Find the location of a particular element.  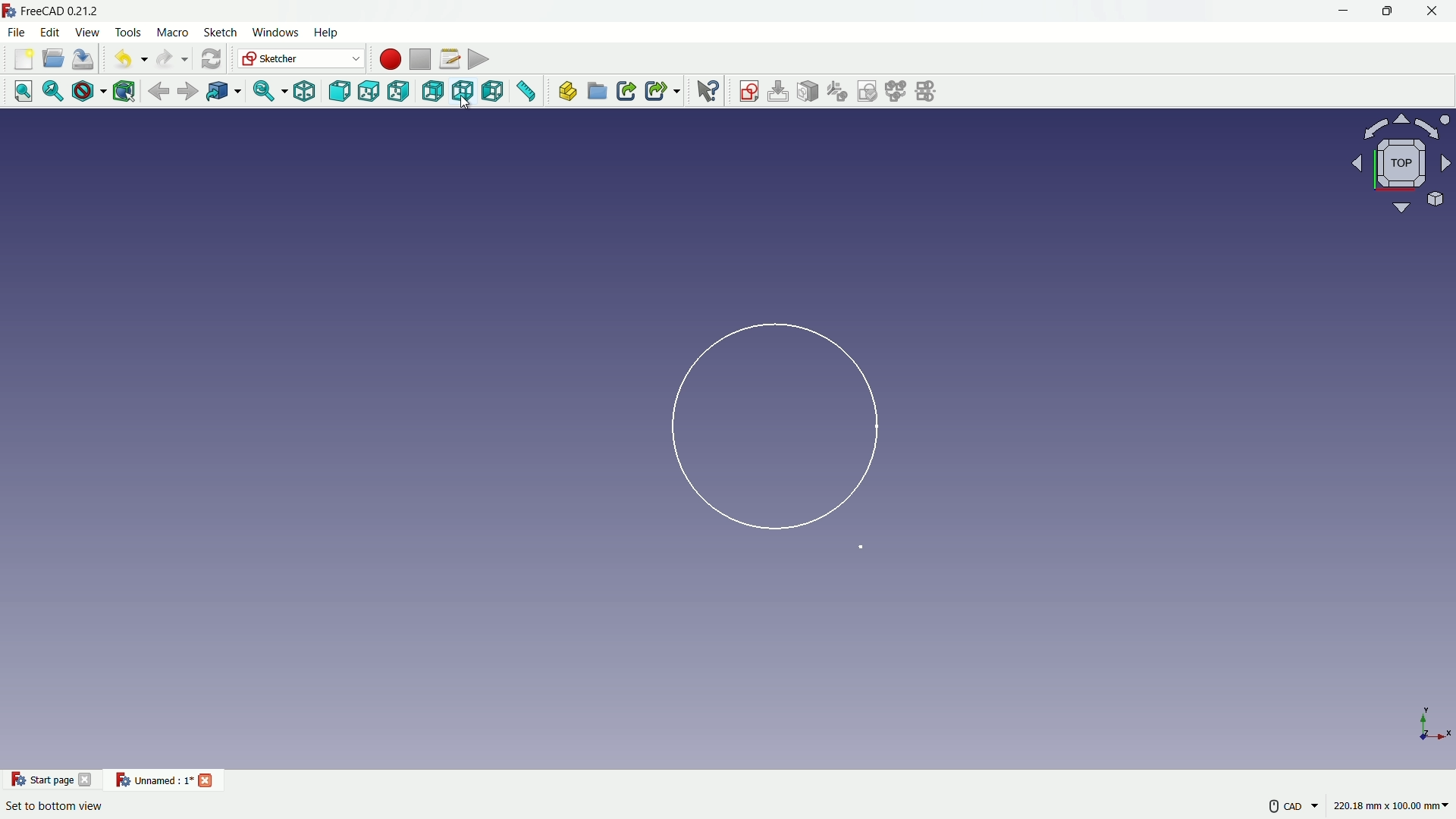

macros is located at coordinates (449, 58).